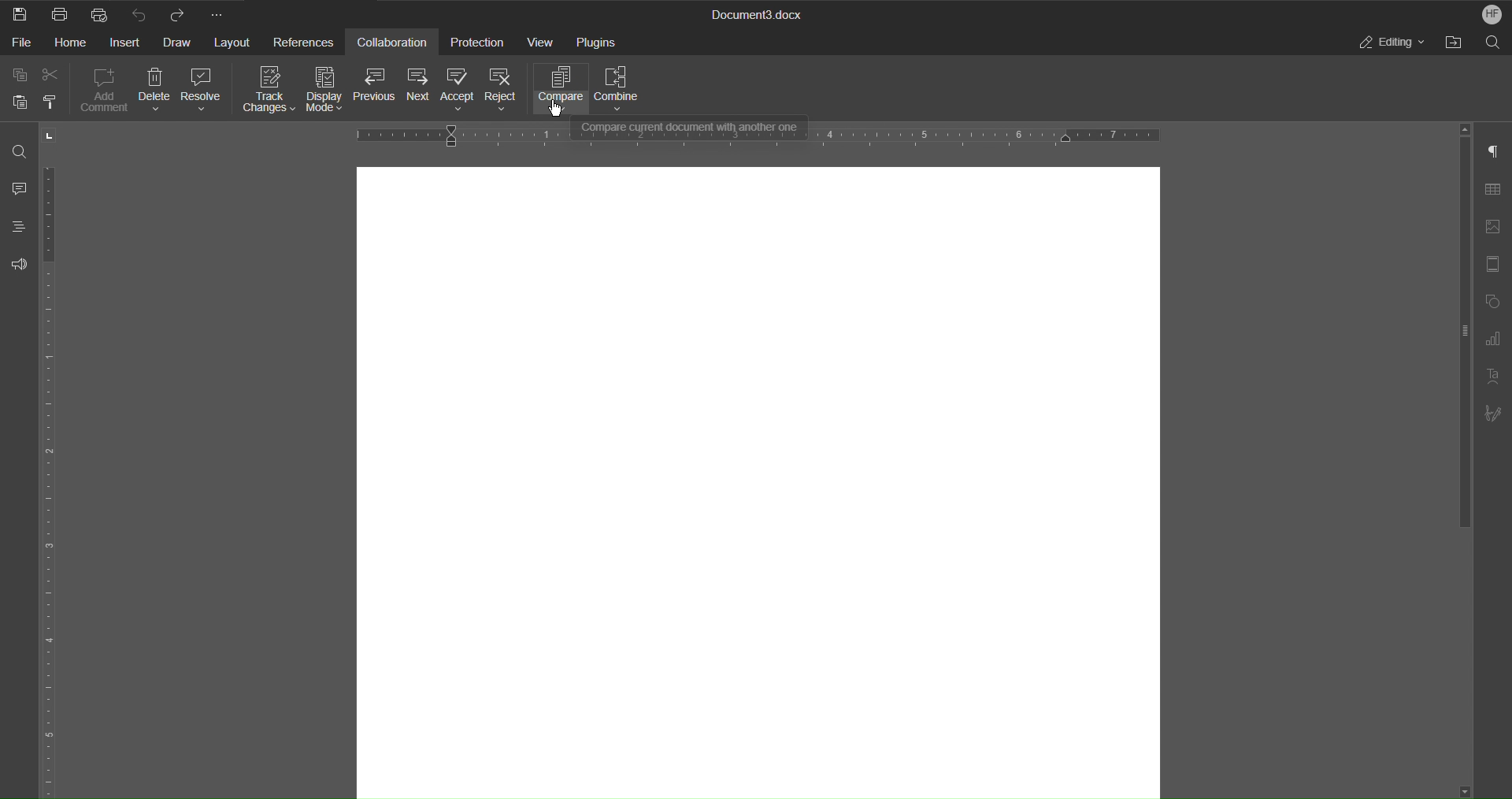 The image size is (1512, 799). What do you see at coordinates (598, 41) in the screenshot?
I see `Plugins` at bounding box center [598, 41].